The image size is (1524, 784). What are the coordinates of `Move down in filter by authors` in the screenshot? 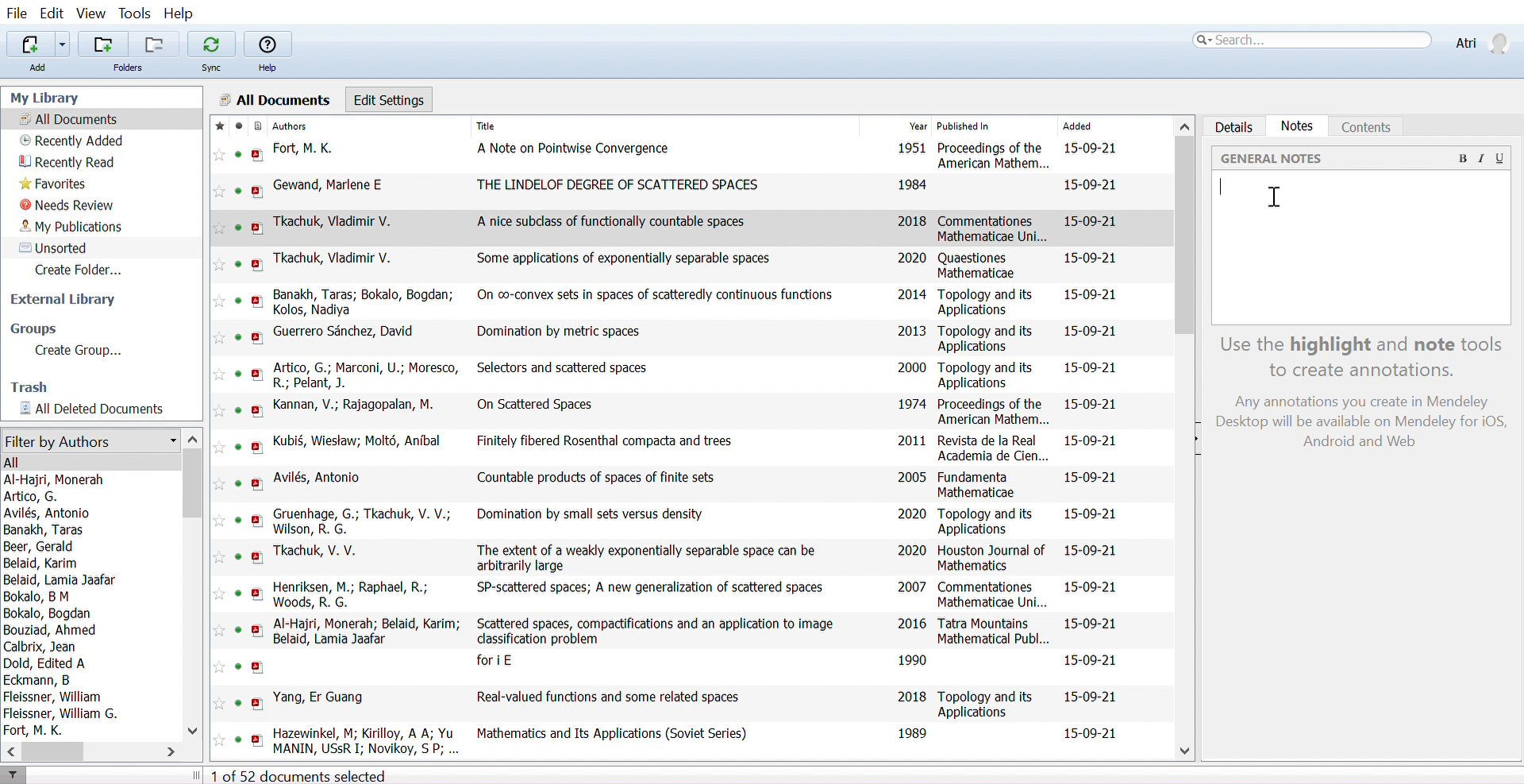 It's located at (191, 728).